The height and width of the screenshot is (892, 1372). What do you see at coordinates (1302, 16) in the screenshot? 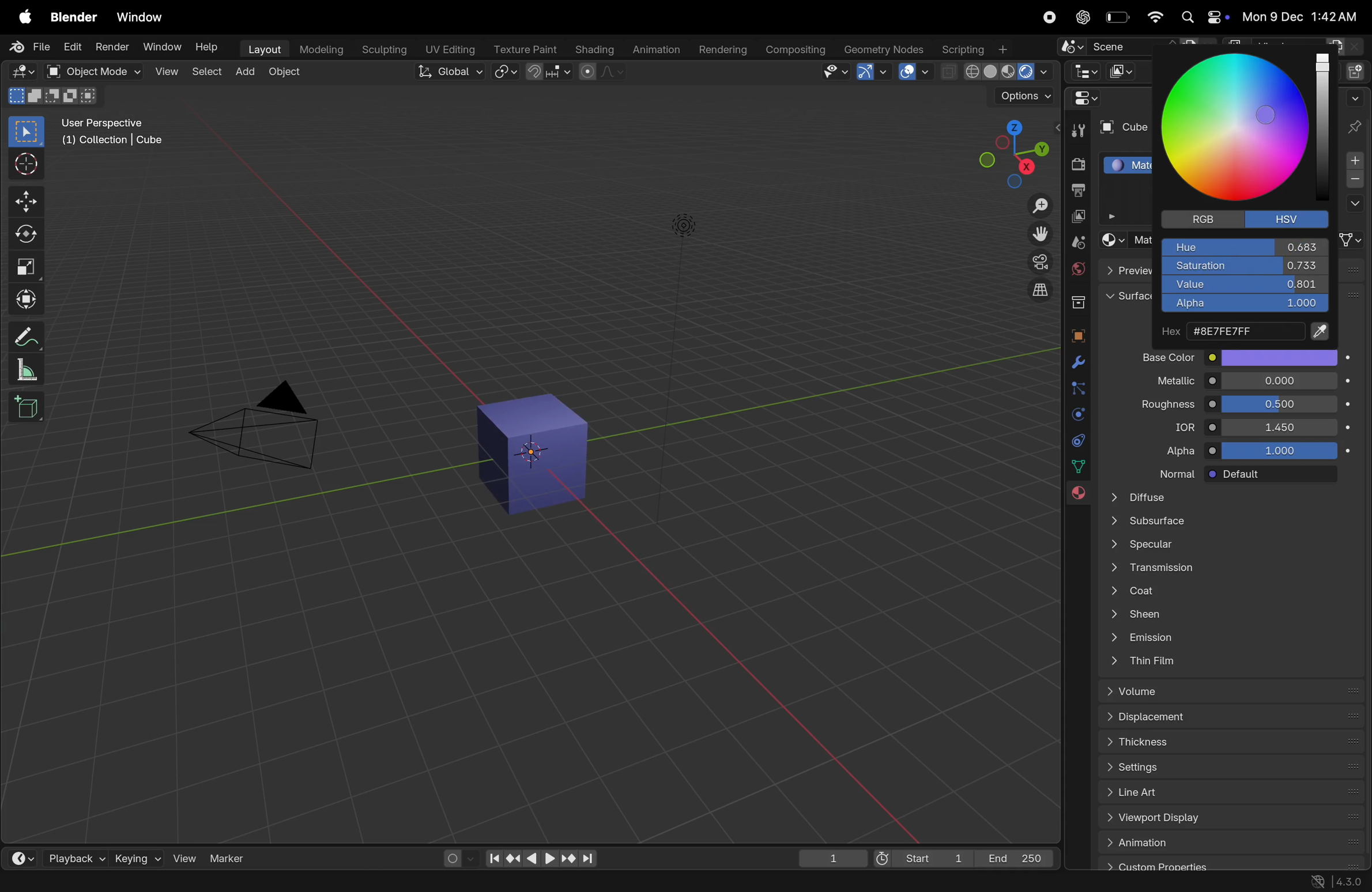
I see `date and time` at bounding box center [1302, 16].